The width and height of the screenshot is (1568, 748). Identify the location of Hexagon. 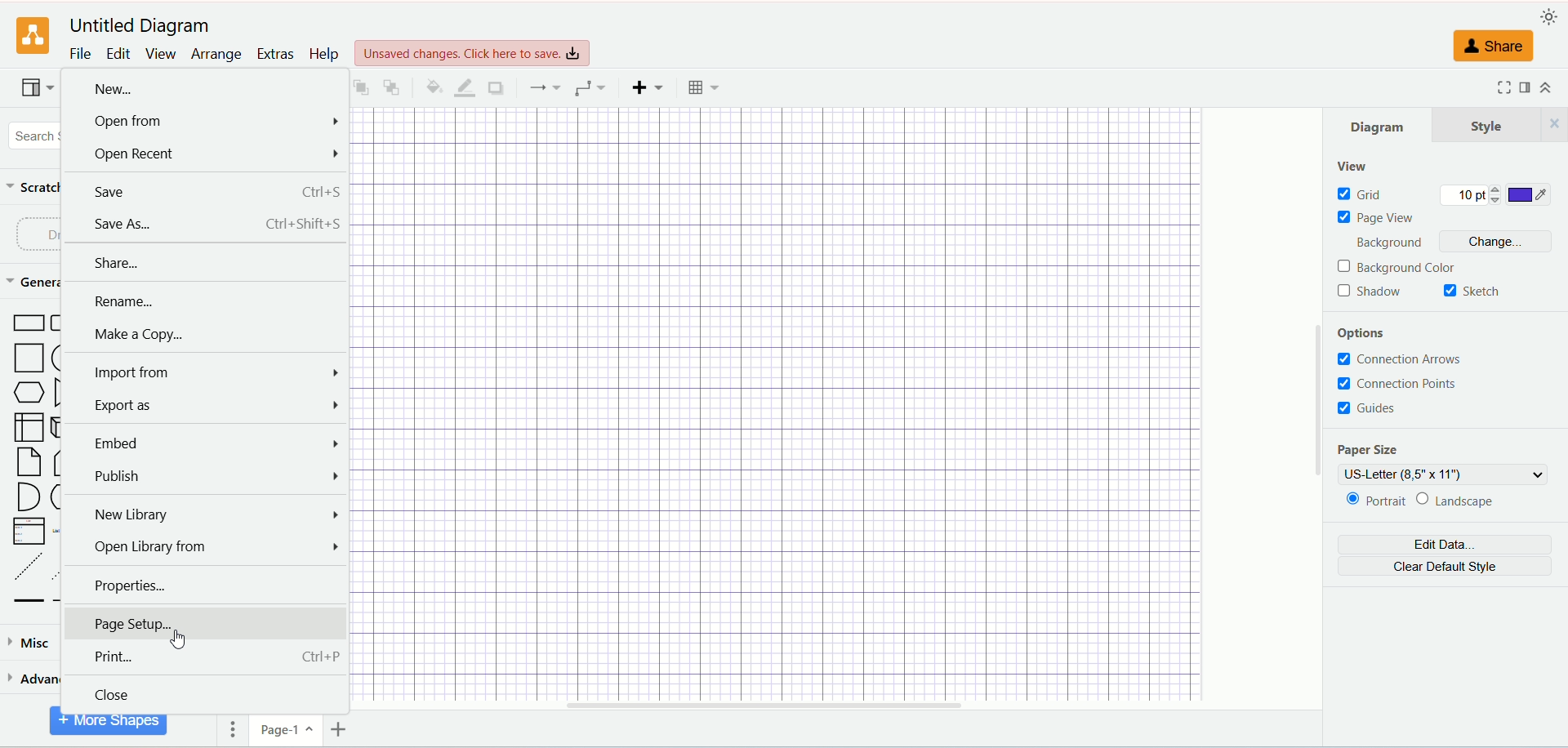
(30, 394).